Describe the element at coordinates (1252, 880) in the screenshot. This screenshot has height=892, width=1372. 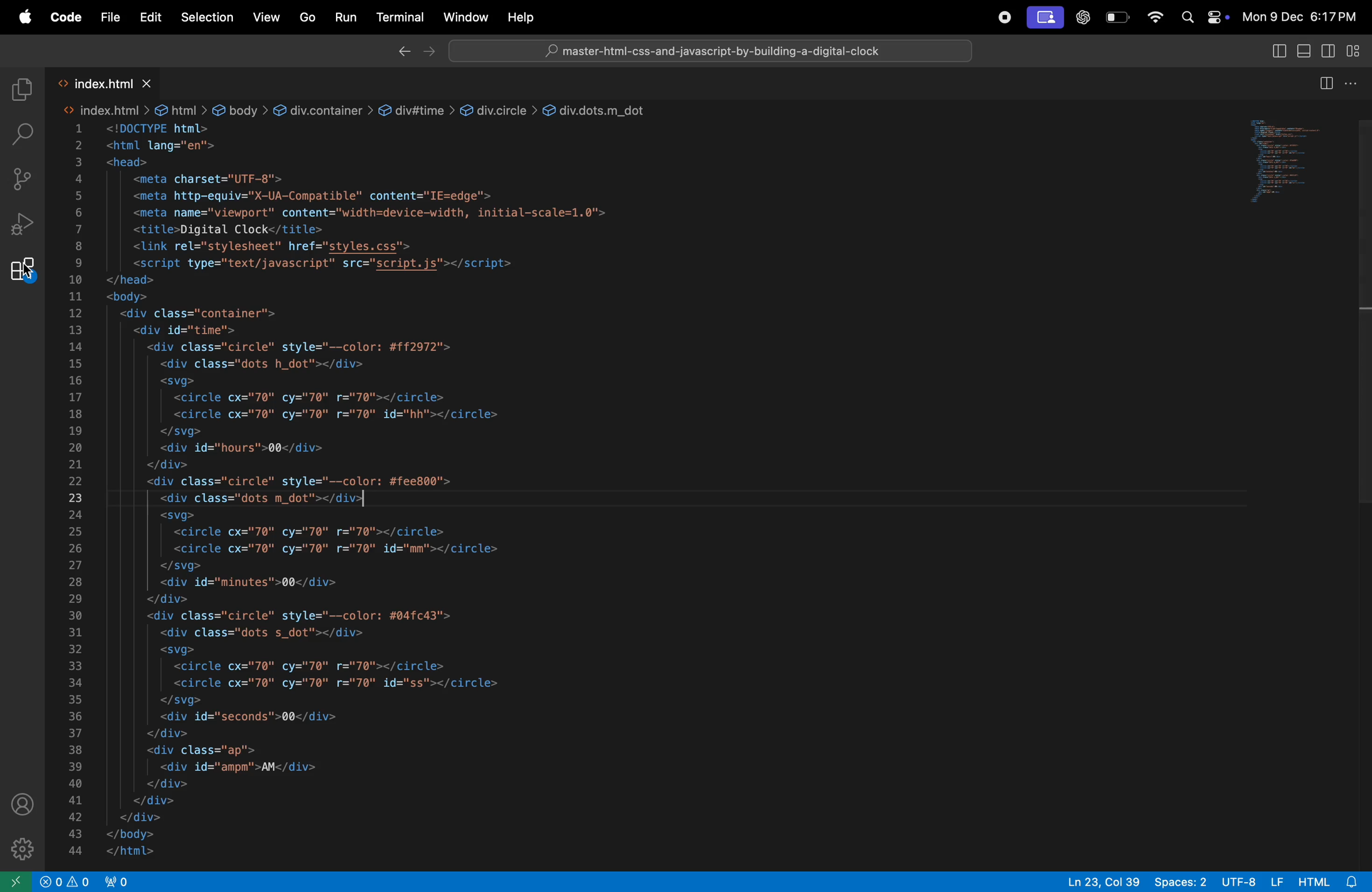
I see `Utf` at that location.